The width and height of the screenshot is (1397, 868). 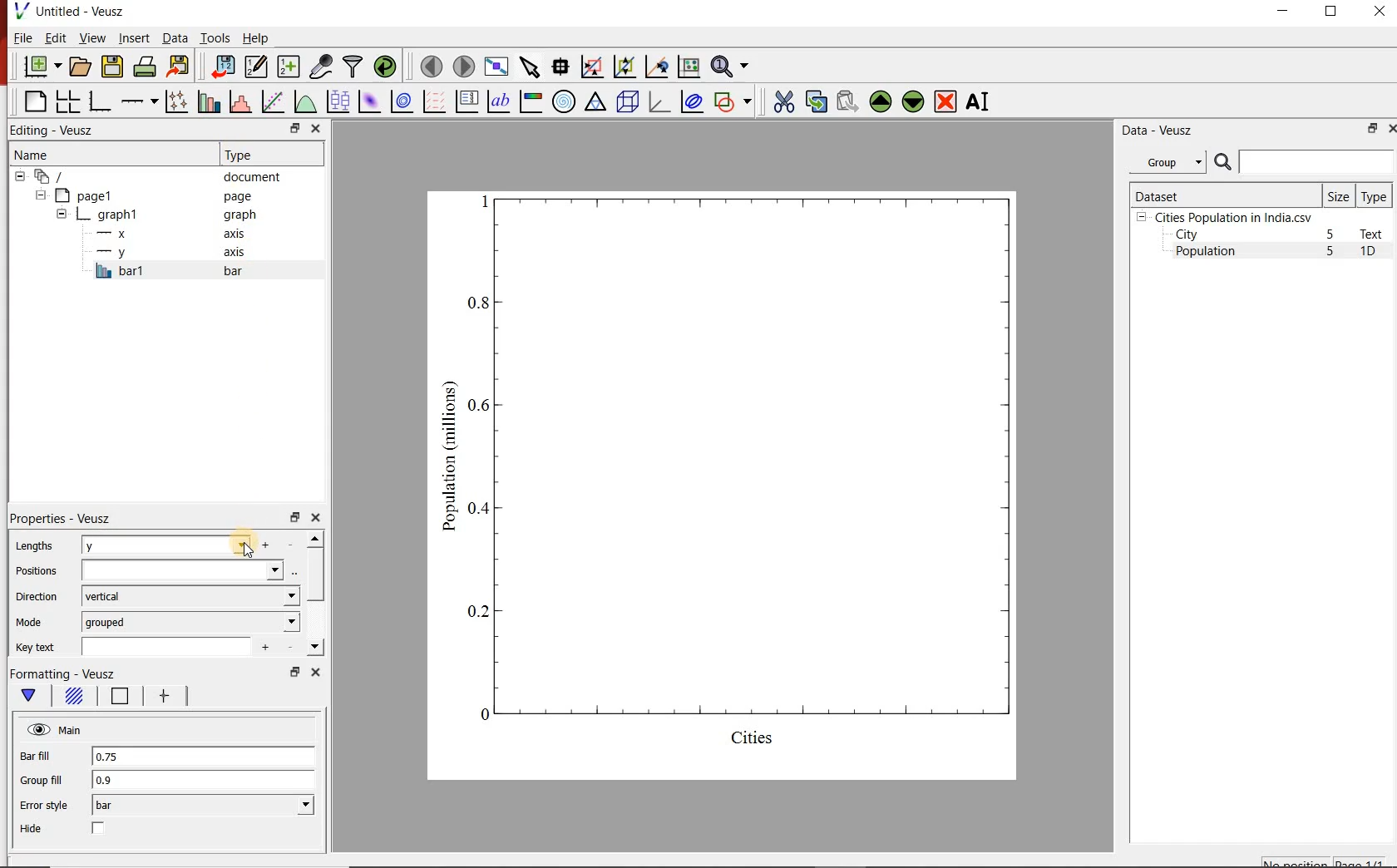 What do you see at coordinates (144, 67) in the screenshot?
I see `print the document` at bounding box center [144, 67].